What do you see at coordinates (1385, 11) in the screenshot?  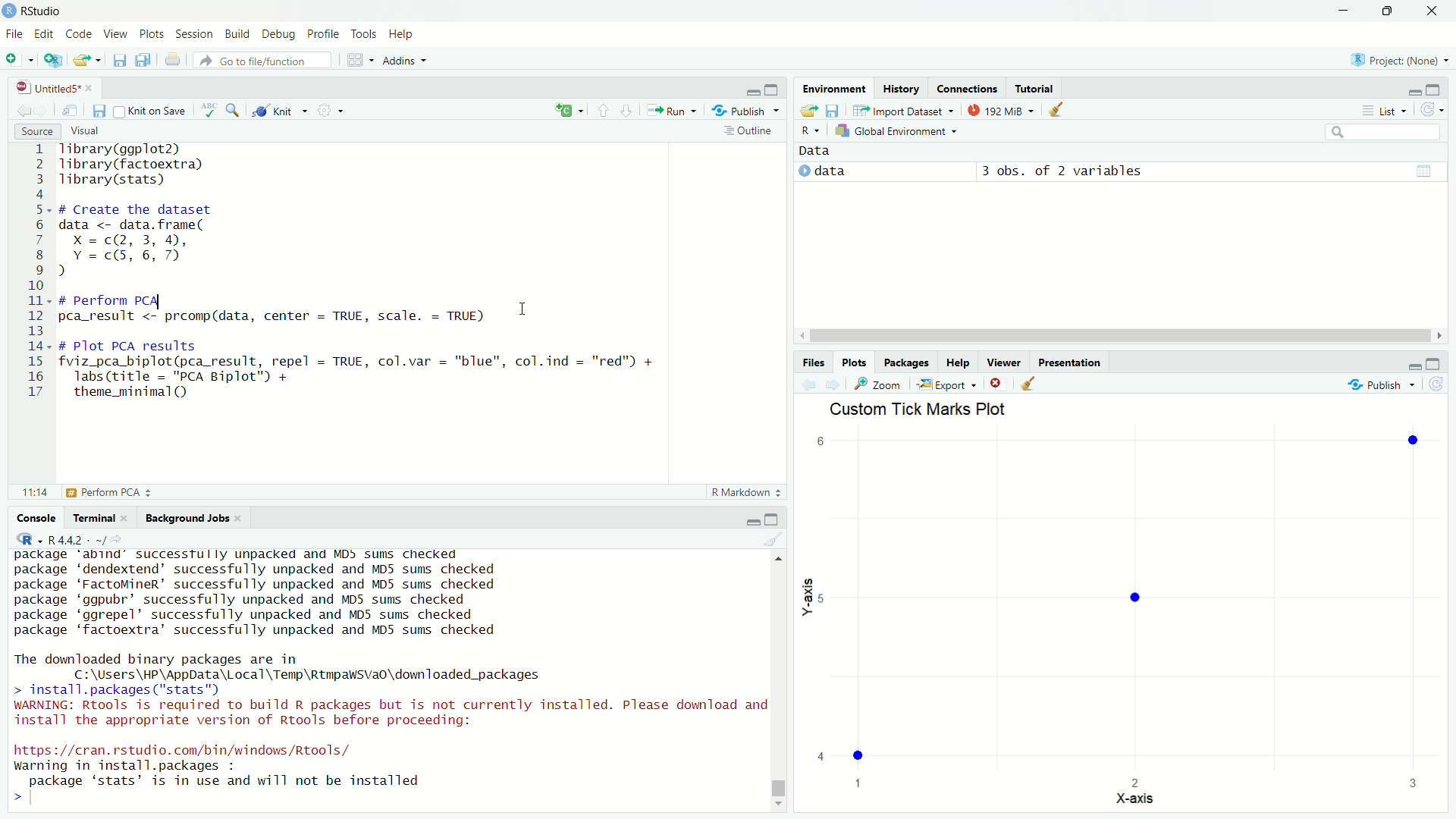 I see `Maximize` at bounding box center [1385, 11].